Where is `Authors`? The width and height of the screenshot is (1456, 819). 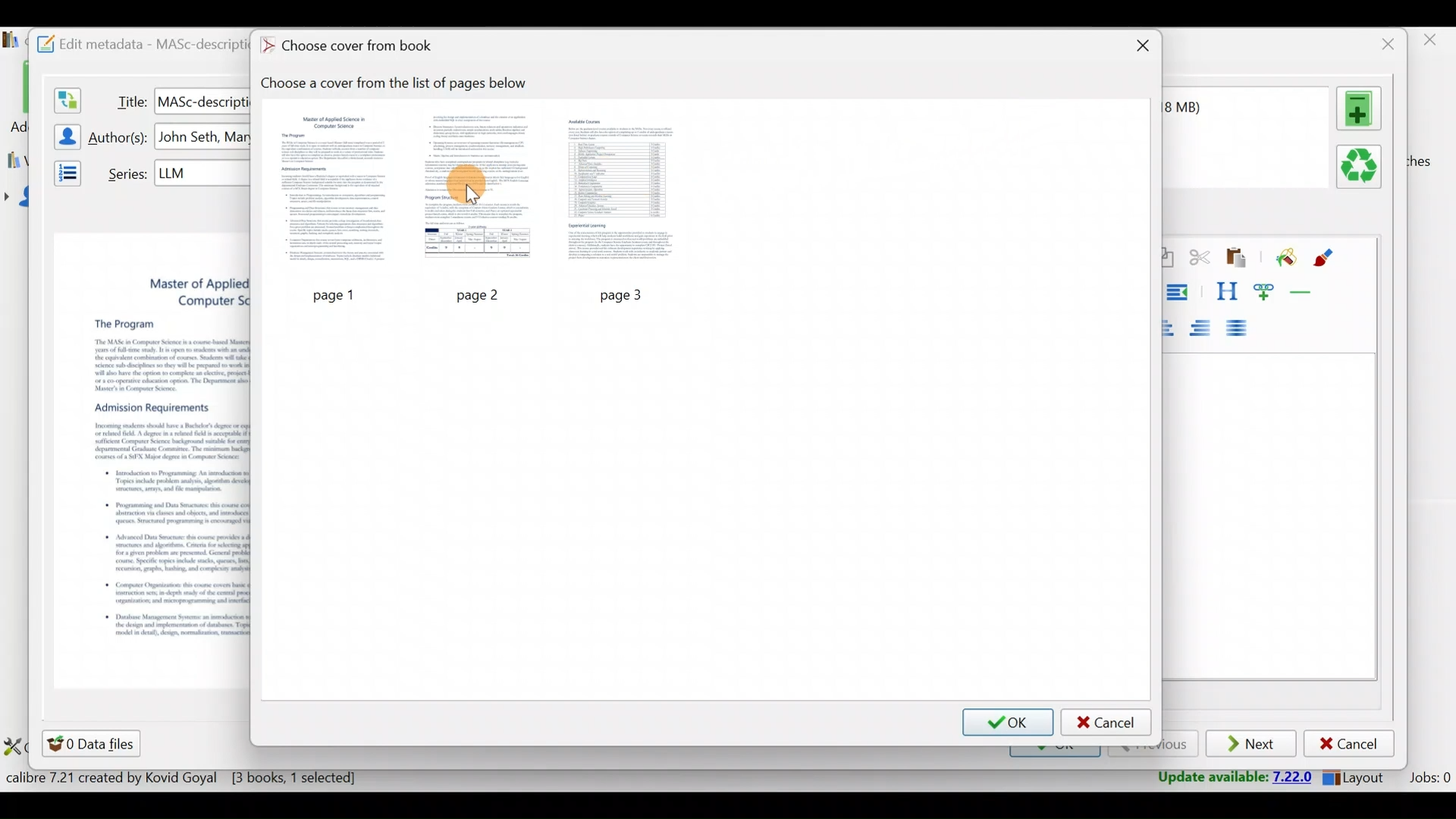 Authors is located at coordinates (120, 138).